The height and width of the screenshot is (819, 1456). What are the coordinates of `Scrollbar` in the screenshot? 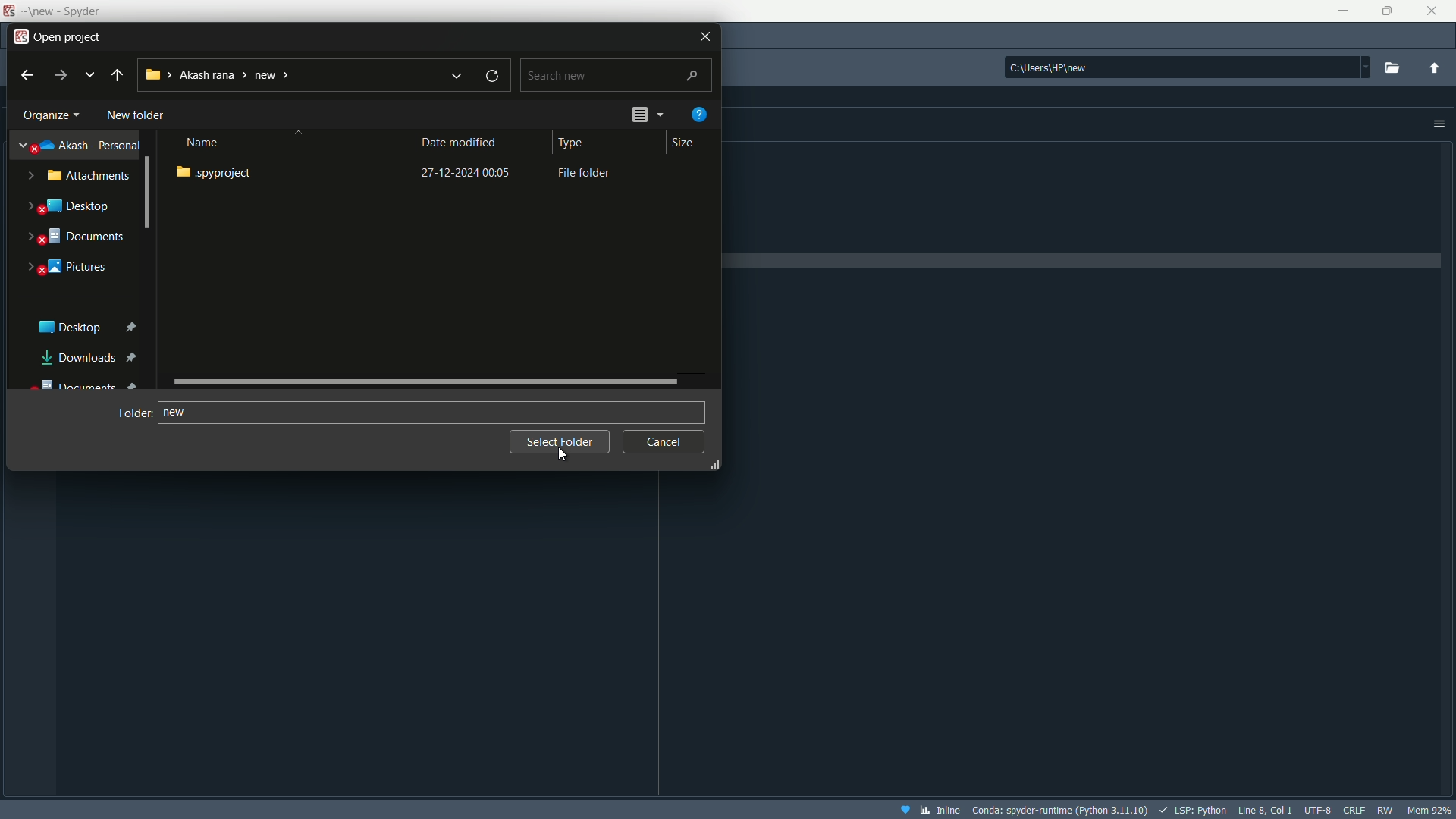 It's located at (428, 380).